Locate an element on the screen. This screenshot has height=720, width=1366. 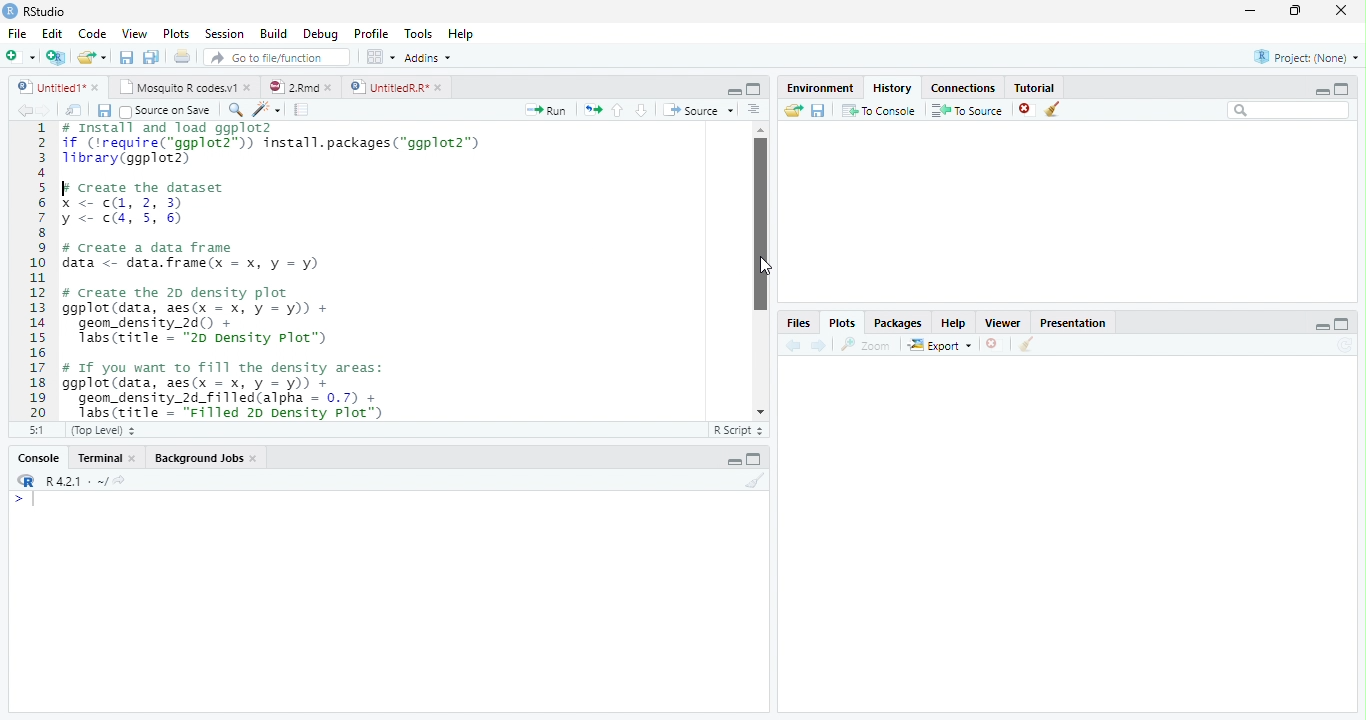
back is located at coordinates (20, 110).